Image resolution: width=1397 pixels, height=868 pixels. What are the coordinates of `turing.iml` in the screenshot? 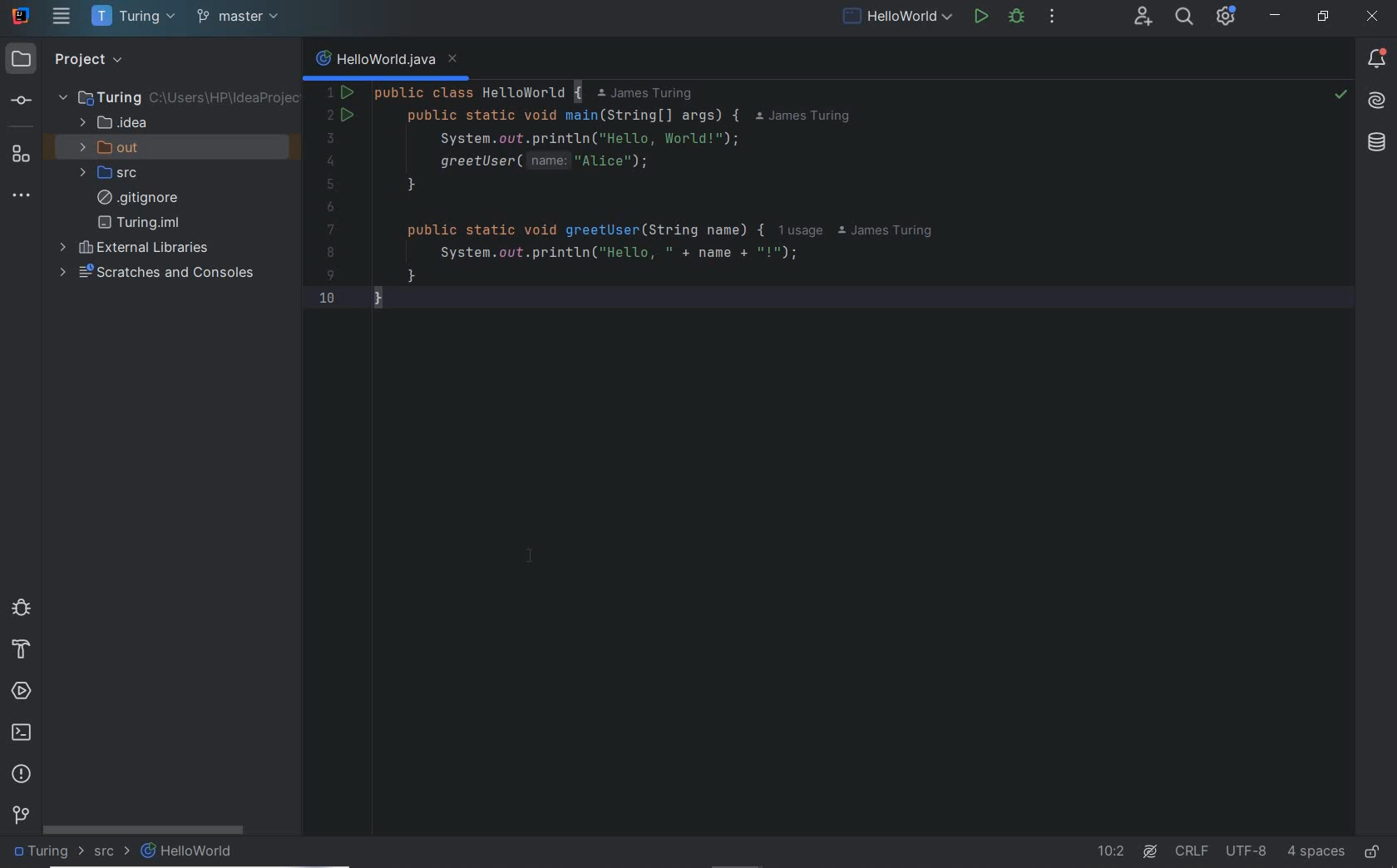 It's located at (138, 223).